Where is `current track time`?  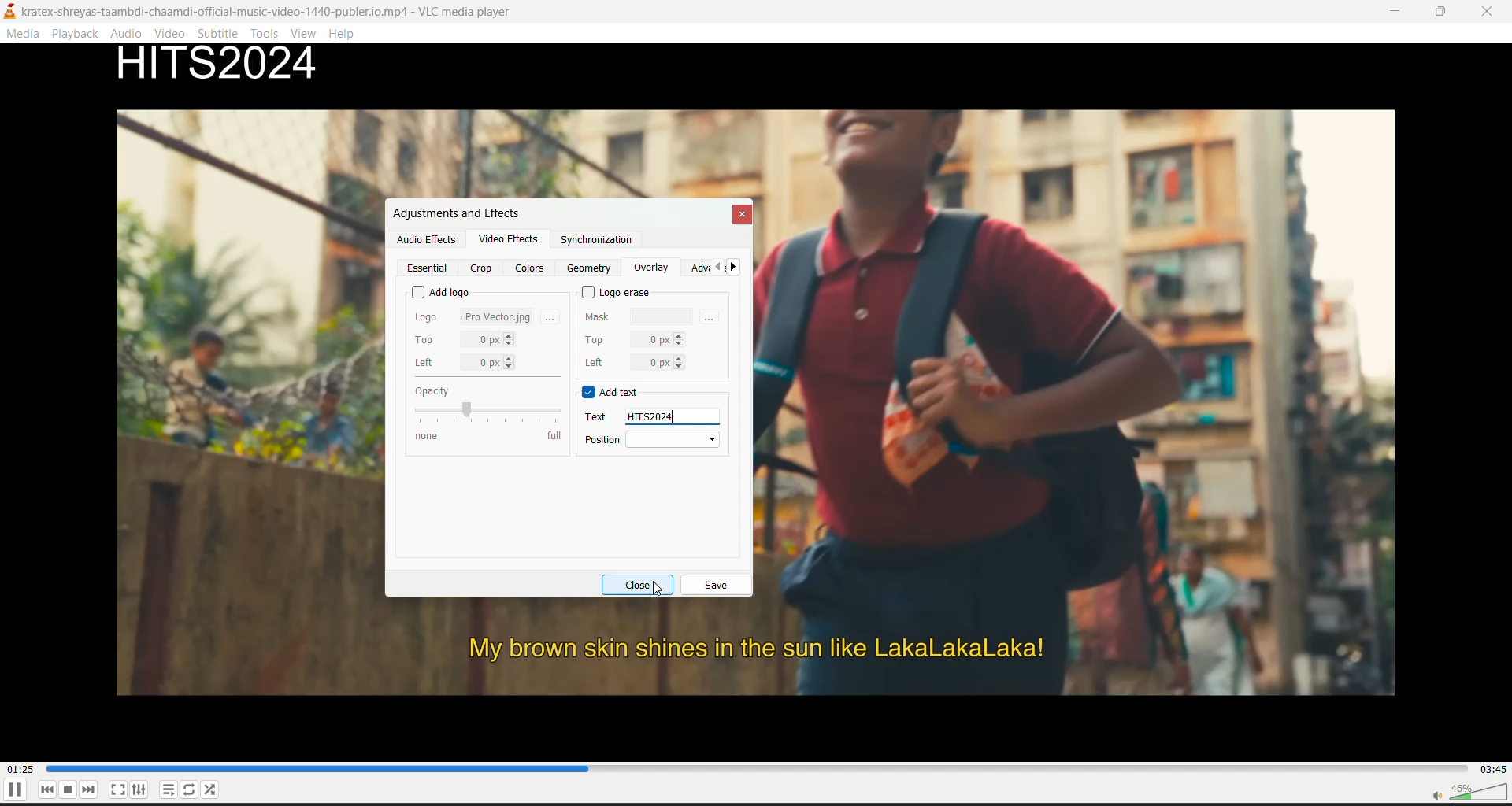 current track time is located at coordinates (23, 767).